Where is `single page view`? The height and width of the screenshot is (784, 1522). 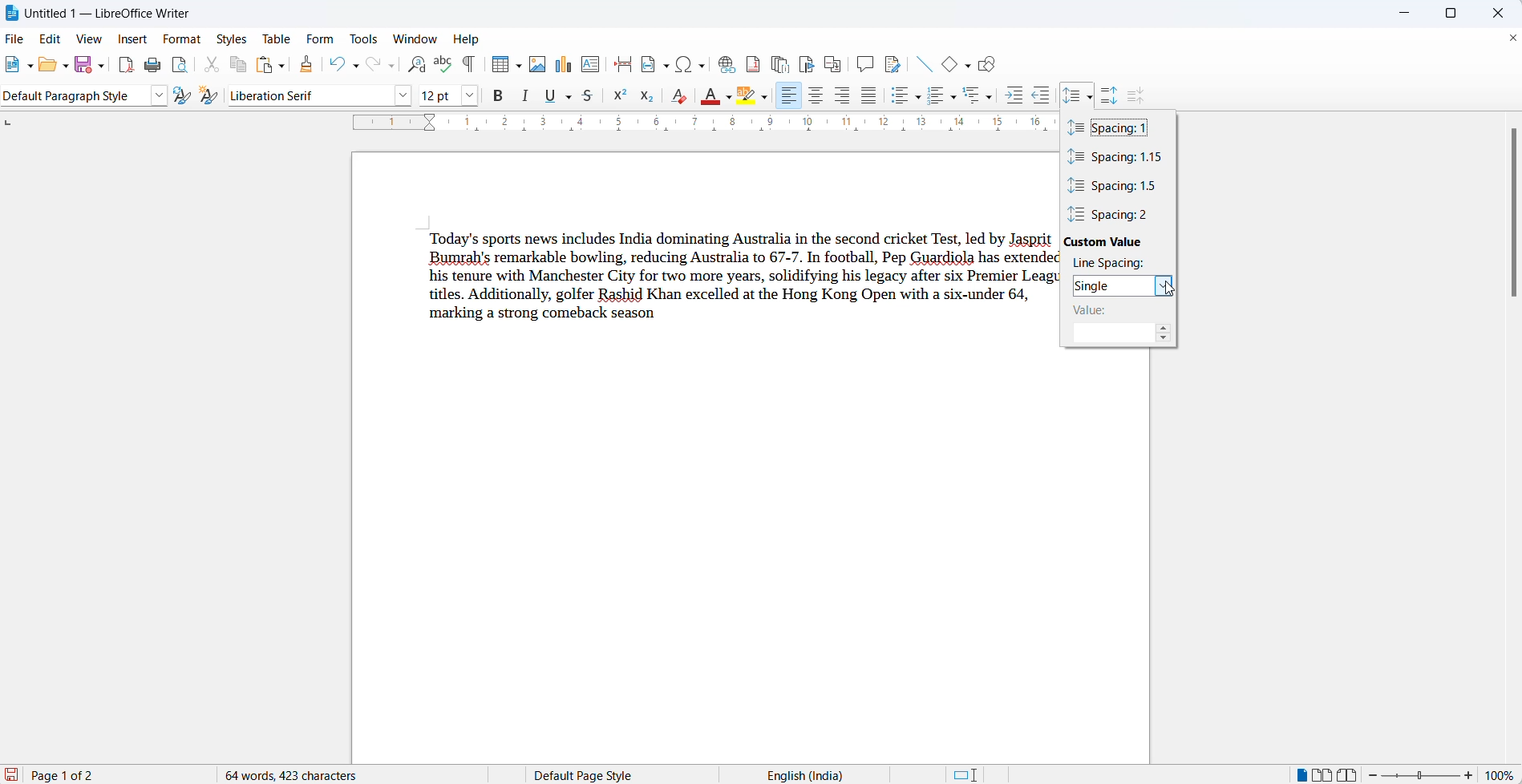 single page view is located at coordinates (1298, 774).